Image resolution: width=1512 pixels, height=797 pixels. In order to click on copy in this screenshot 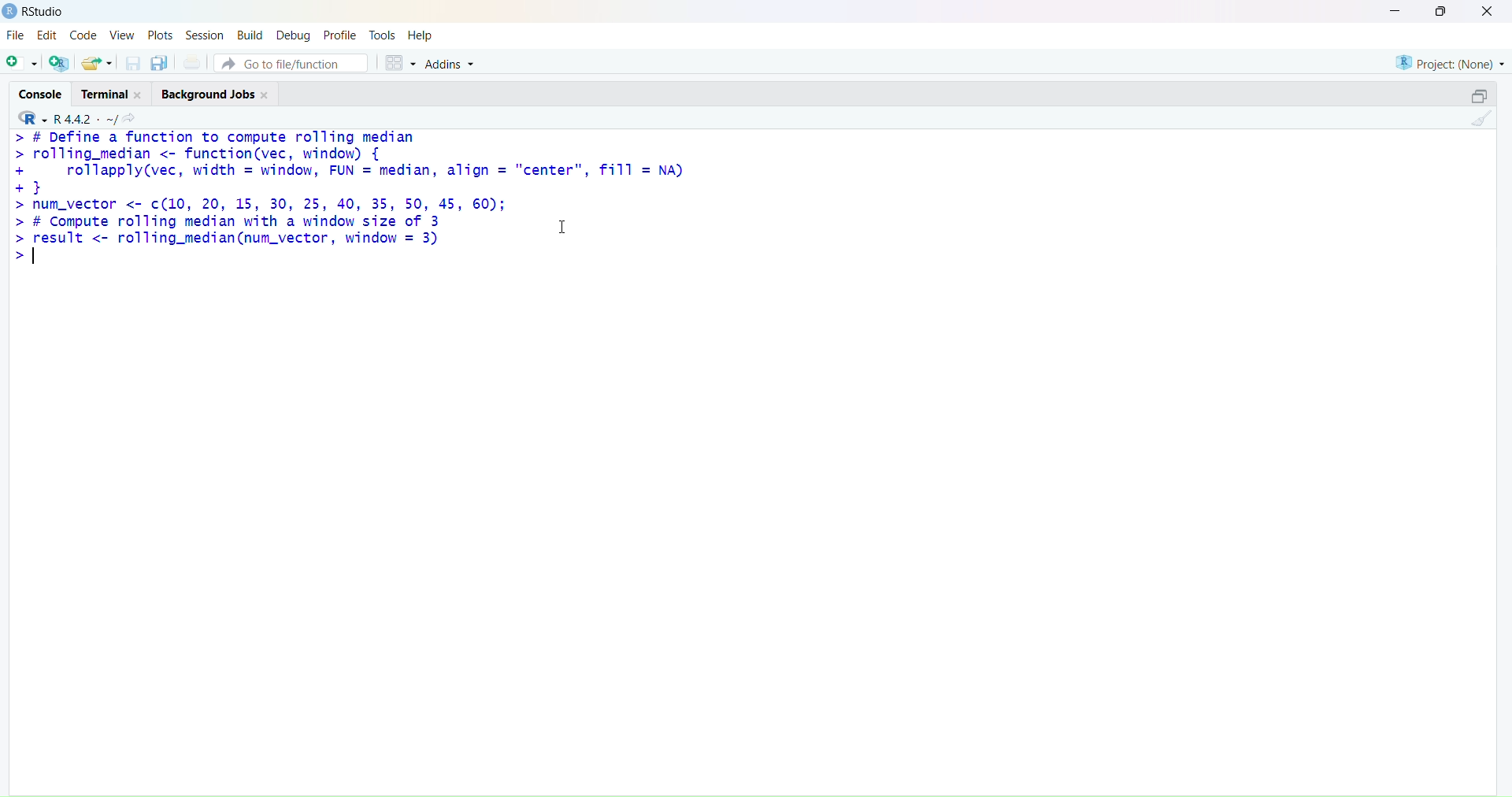, I will do `click(160, 63)`.